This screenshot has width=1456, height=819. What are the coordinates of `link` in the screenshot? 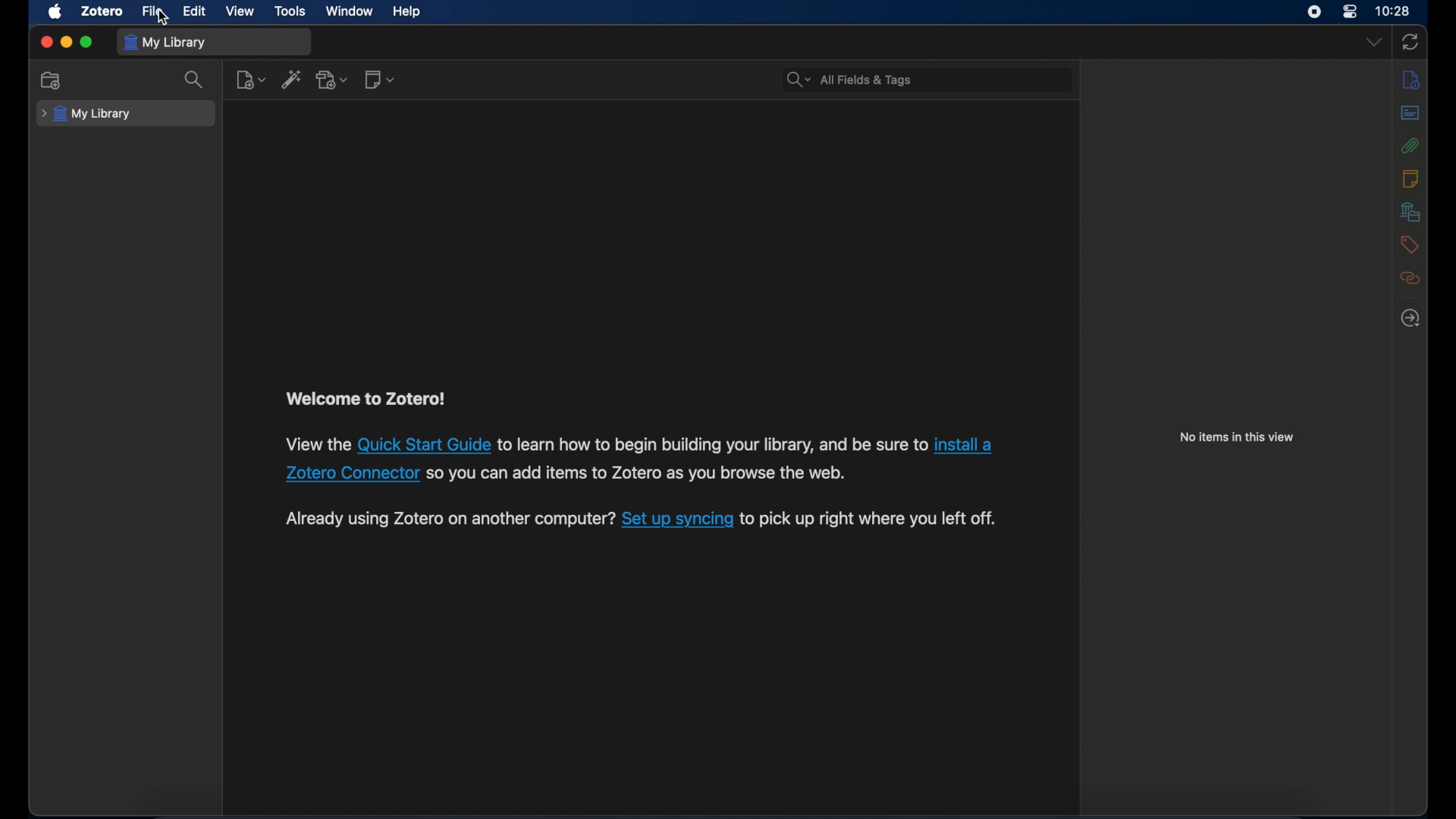 It's located at (426, 443).